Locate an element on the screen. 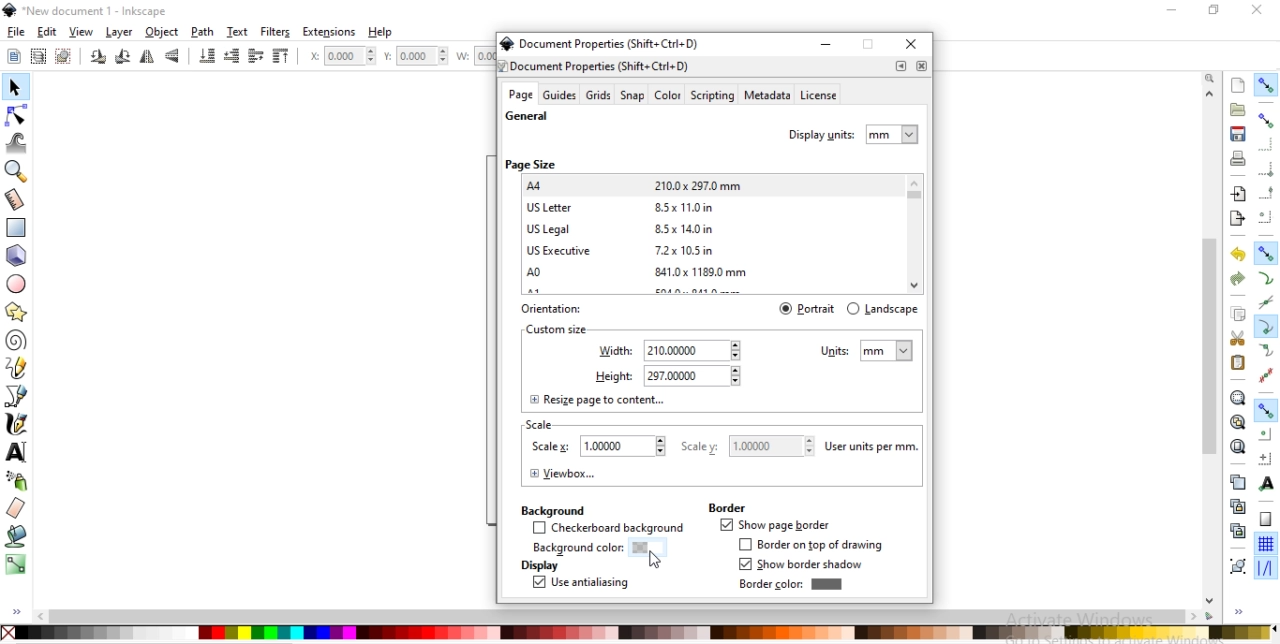 This screenshot has height=644, width=1280. display units is located at coordinates (855, 132).